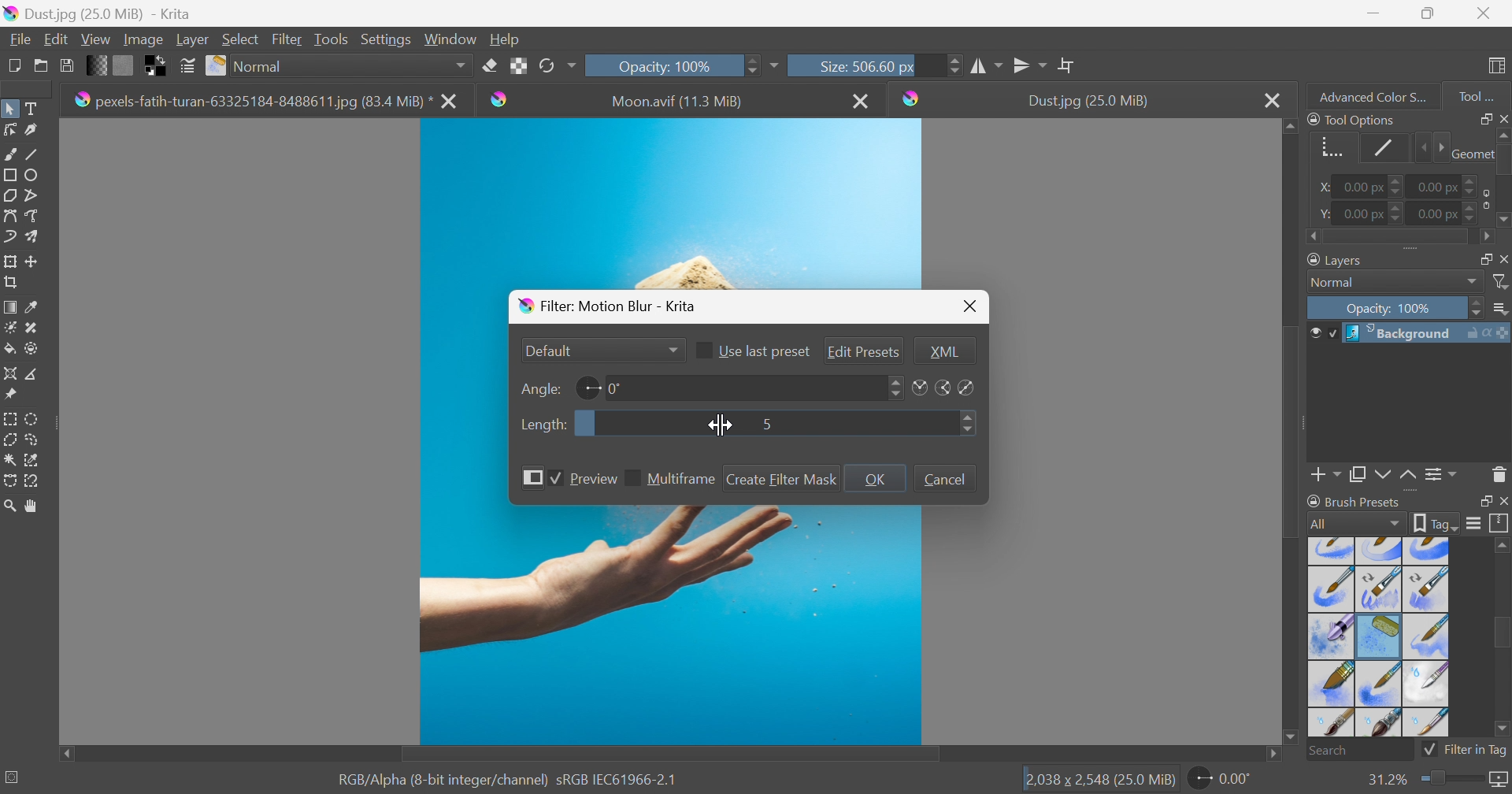 The image size is (1512, 794). What do you see at coordinates (971, 306) in the screenshot?
I see `Close` at bounding box center [971, 306].